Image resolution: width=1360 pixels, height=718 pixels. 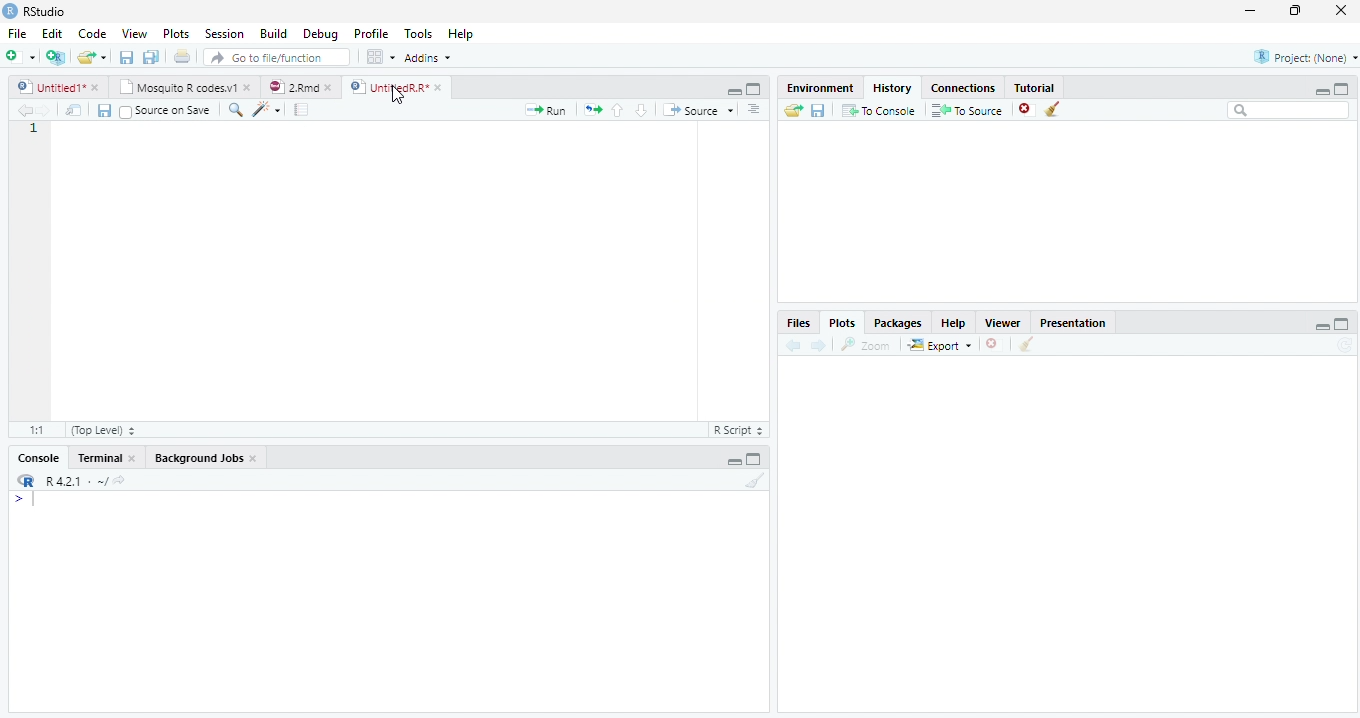 I want to click on History, so click(x=896, y=88).